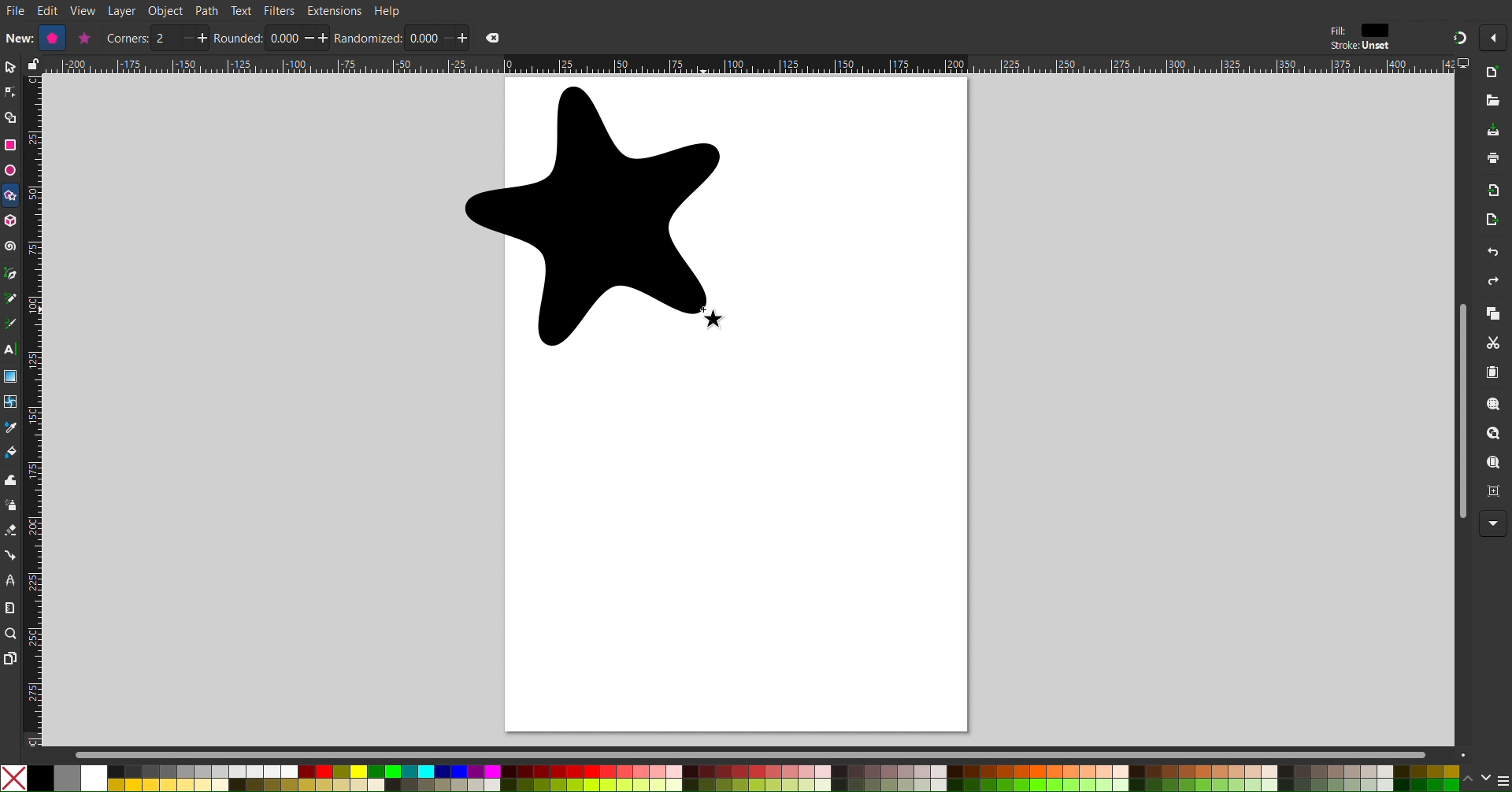 This screenshot has width=1512, height=792. I want to click on Calligraphy Tool, so click(9, 324).